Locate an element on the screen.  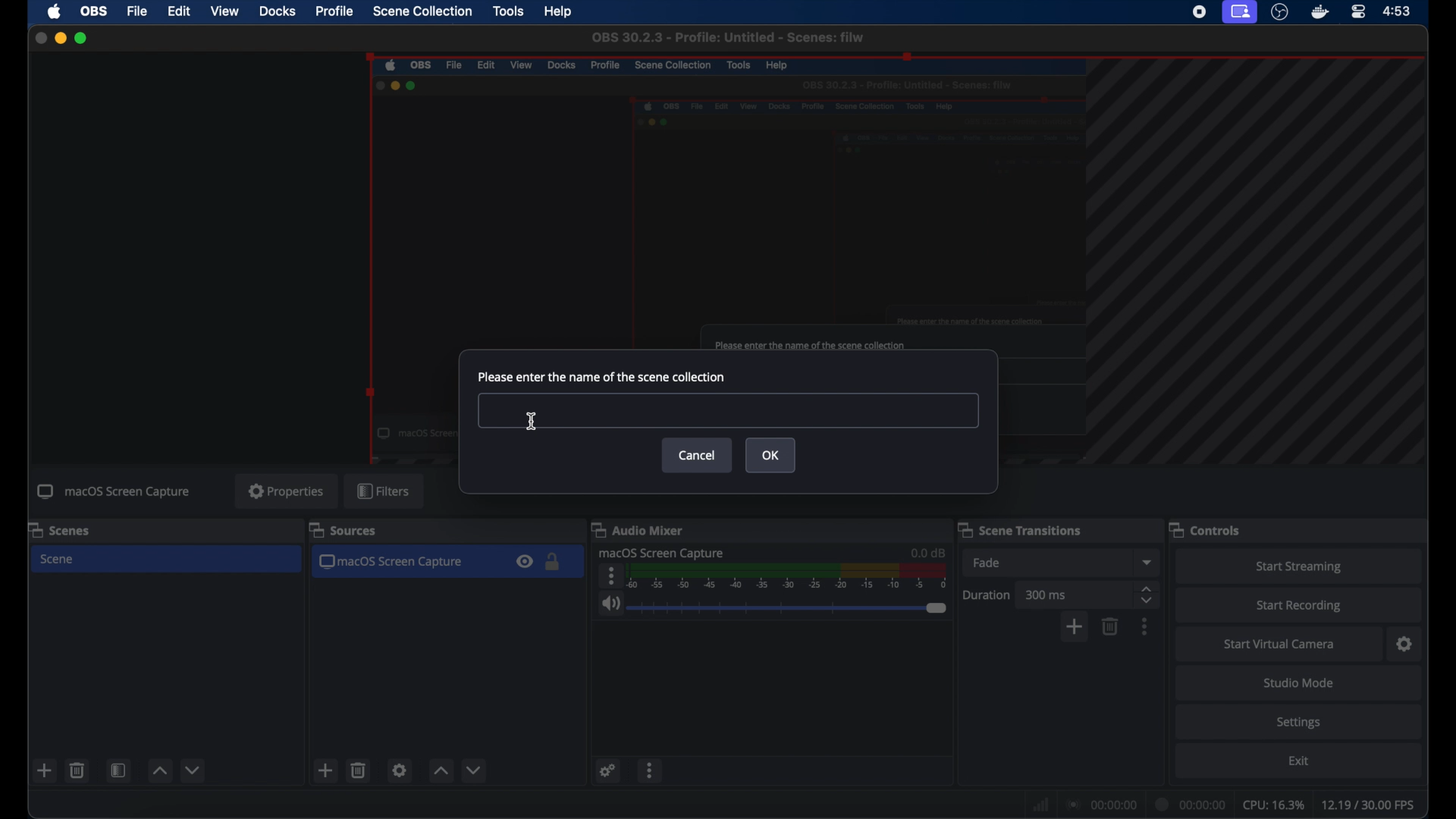
add scene transition is located at coordinates (1075, 628).